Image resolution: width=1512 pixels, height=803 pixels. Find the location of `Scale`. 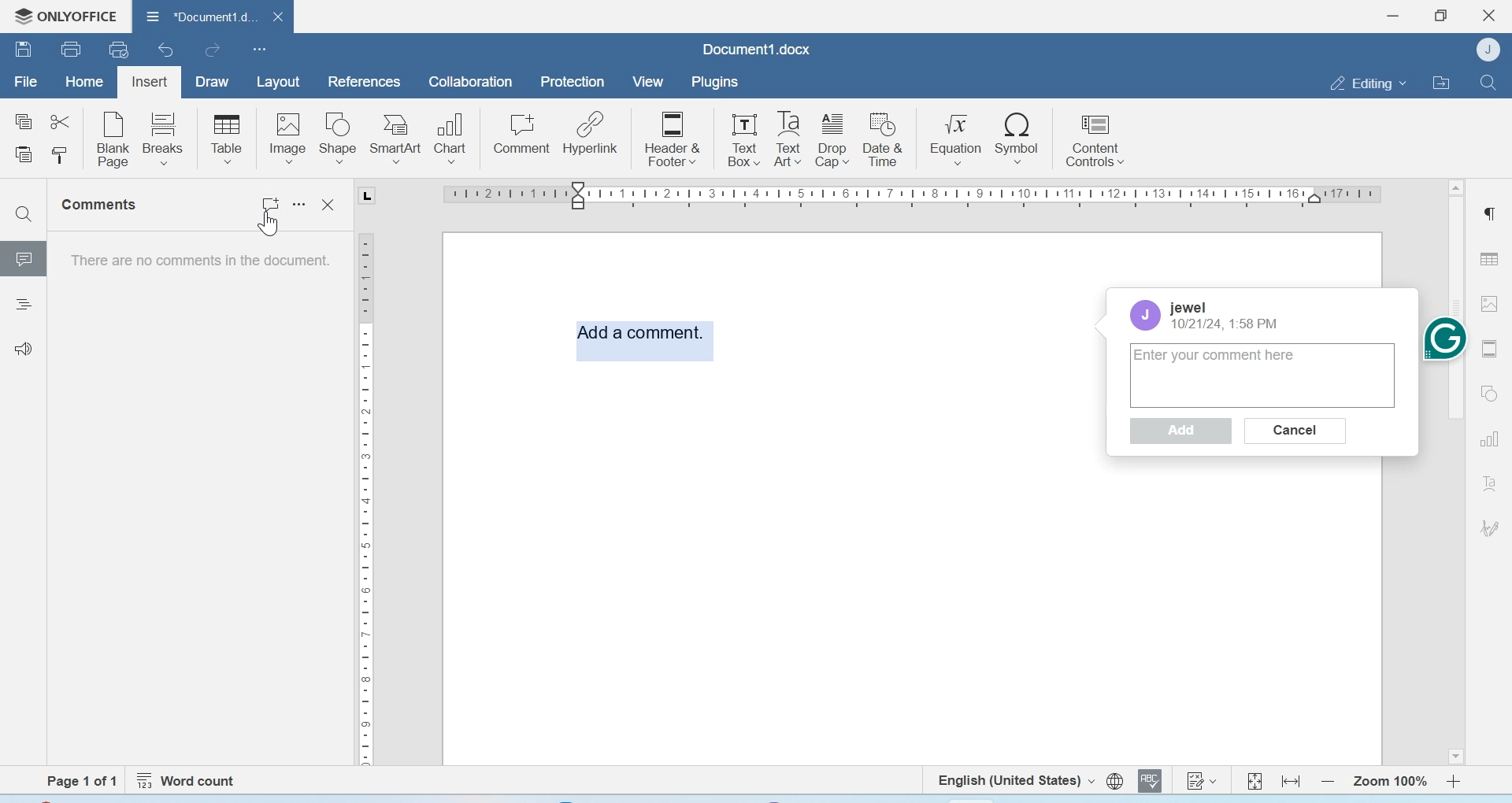

Scale is located at coordinates (904, 197).